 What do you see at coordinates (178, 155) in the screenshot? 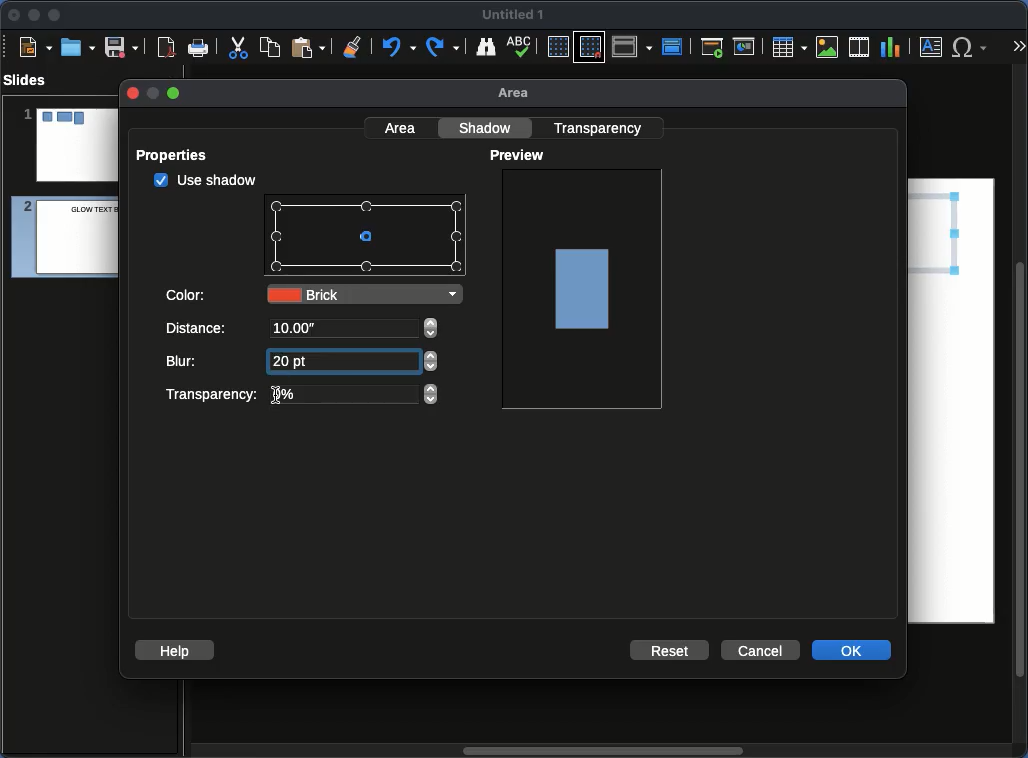
I see `Properties` at bounding box center [178, 155].